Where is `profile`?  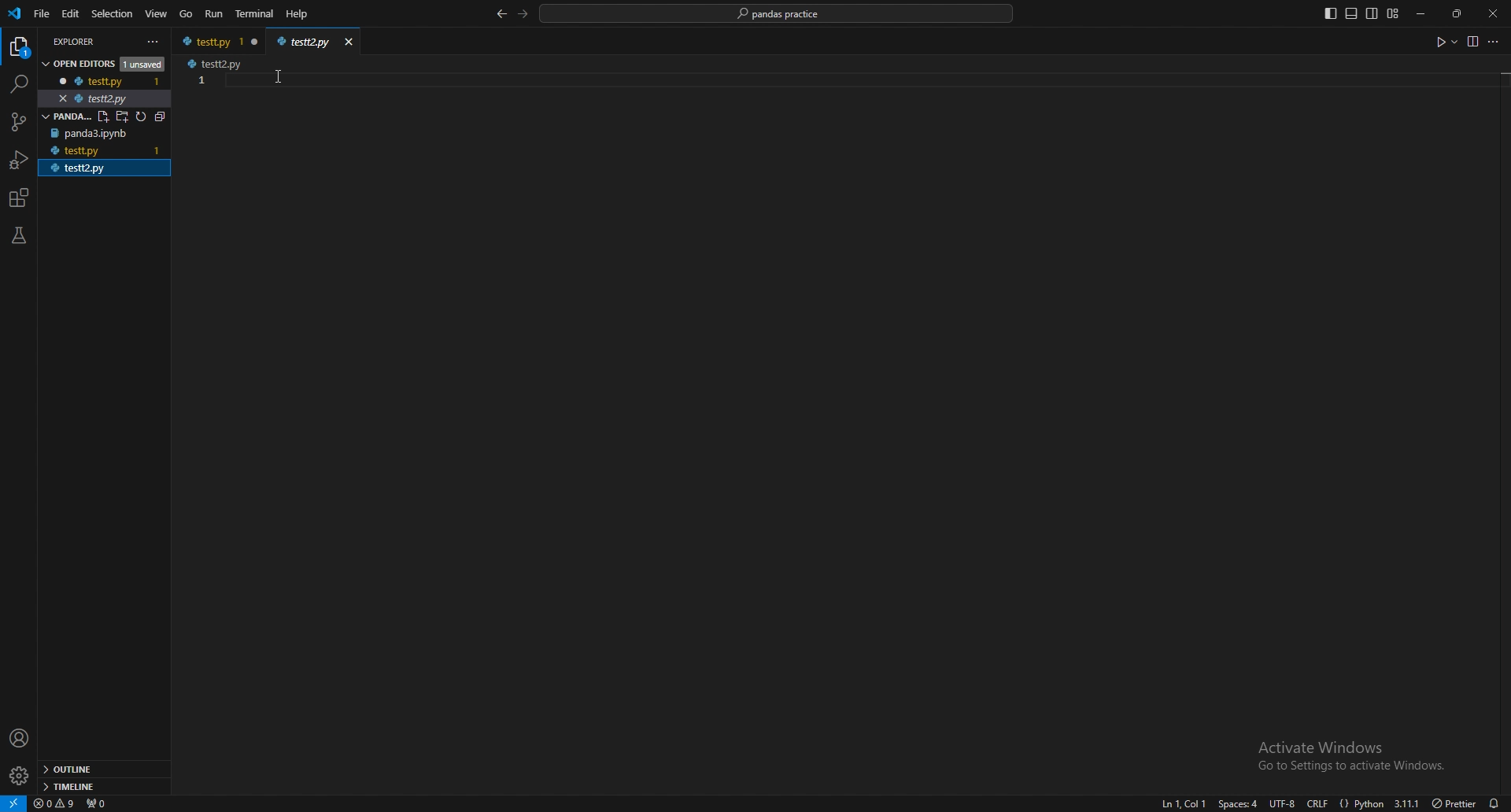
profile is located at coordinates (20, 739).